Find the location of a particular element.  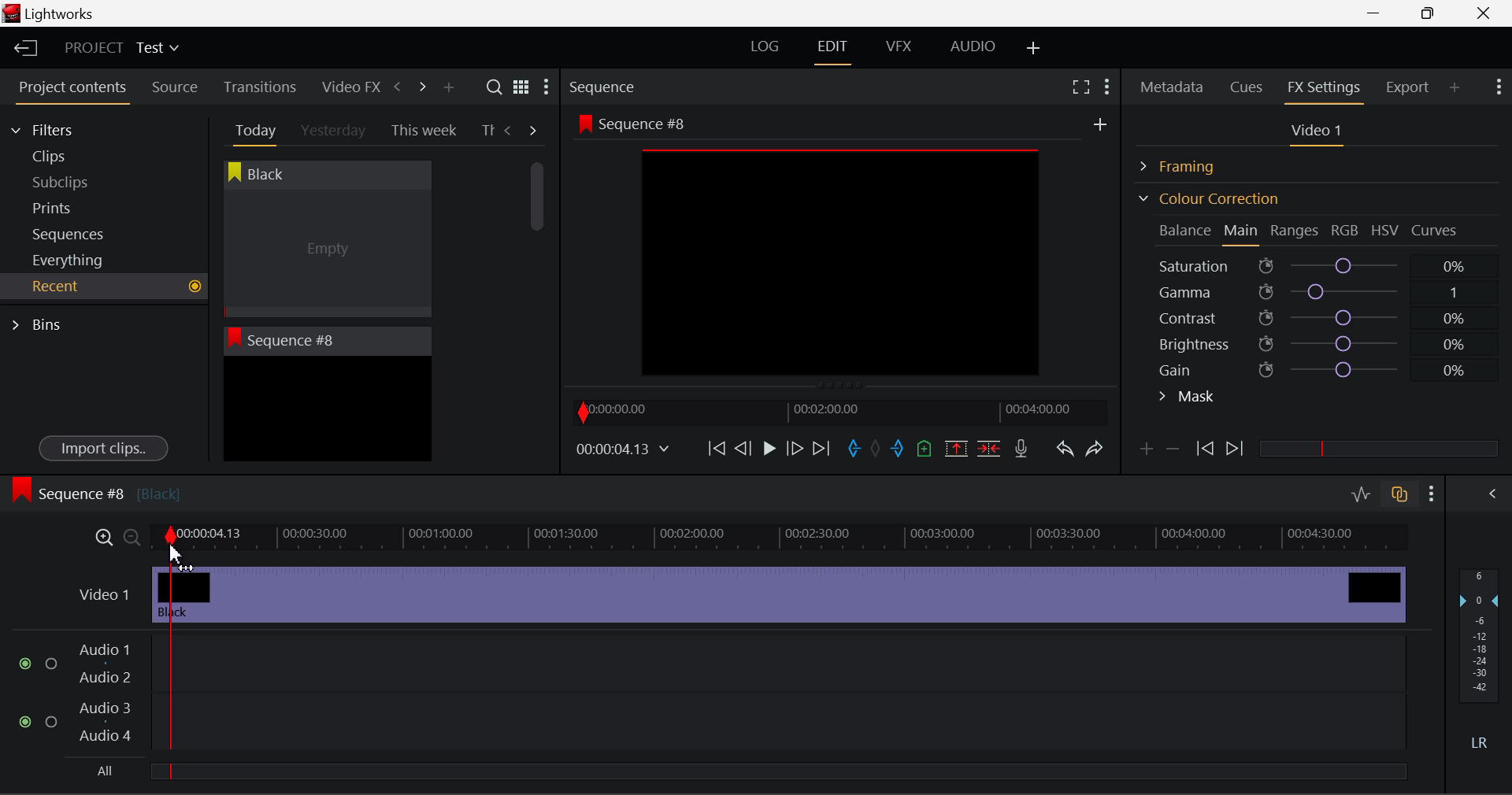

Delete/Cut is located at coordinates (989, 448).